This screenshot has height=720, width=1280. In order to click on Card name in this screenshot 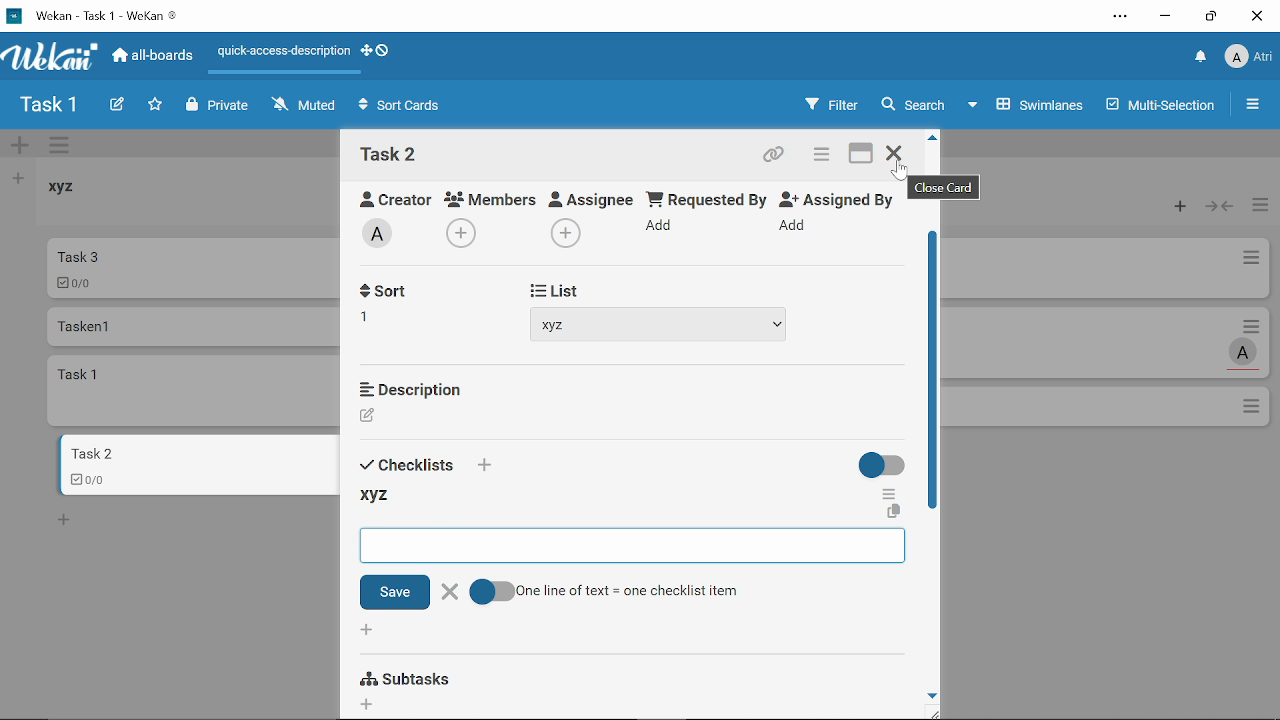, I will do `click(389, 154)`.